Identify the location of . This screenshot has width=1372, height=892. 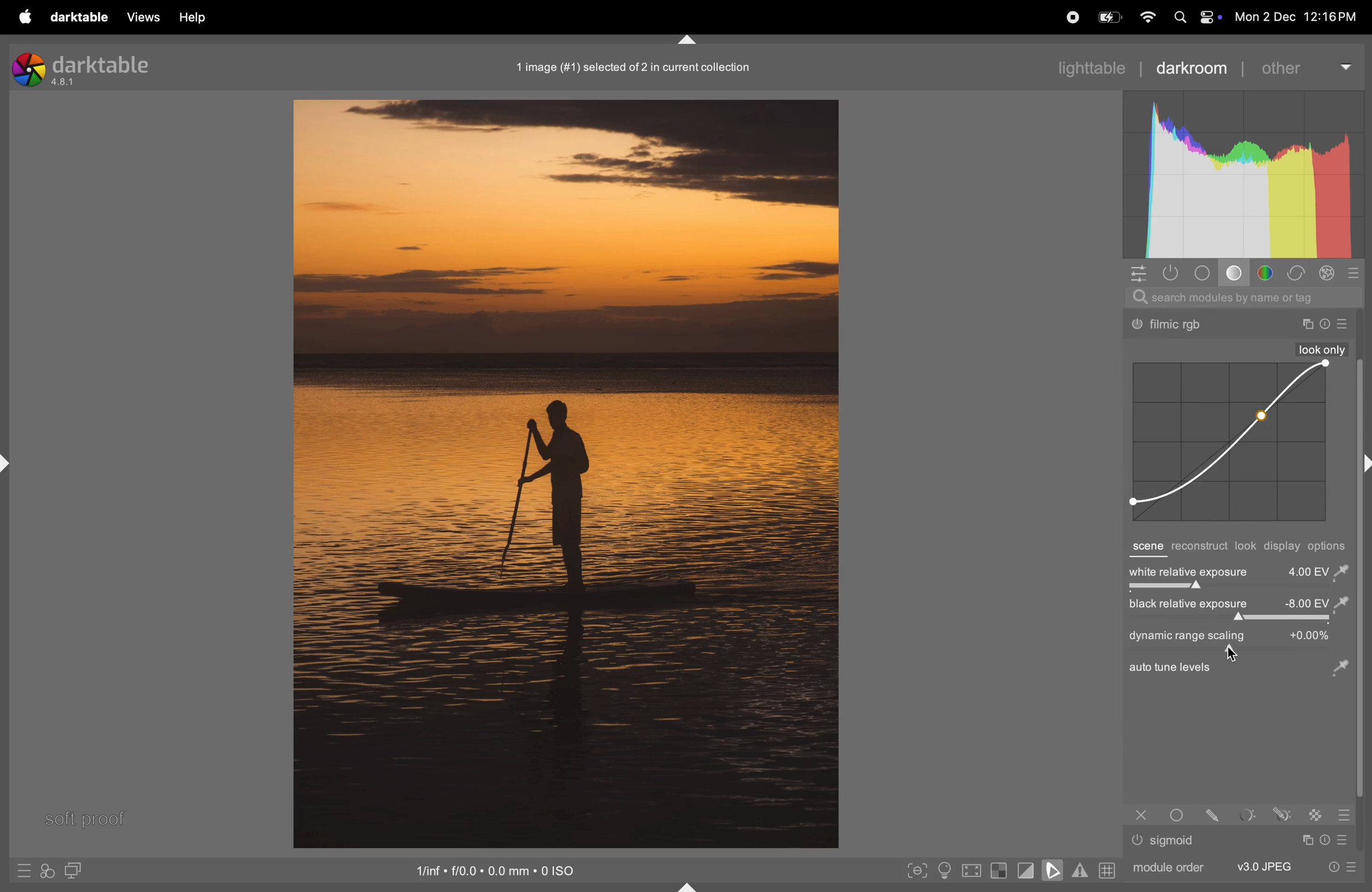
(566, 475).